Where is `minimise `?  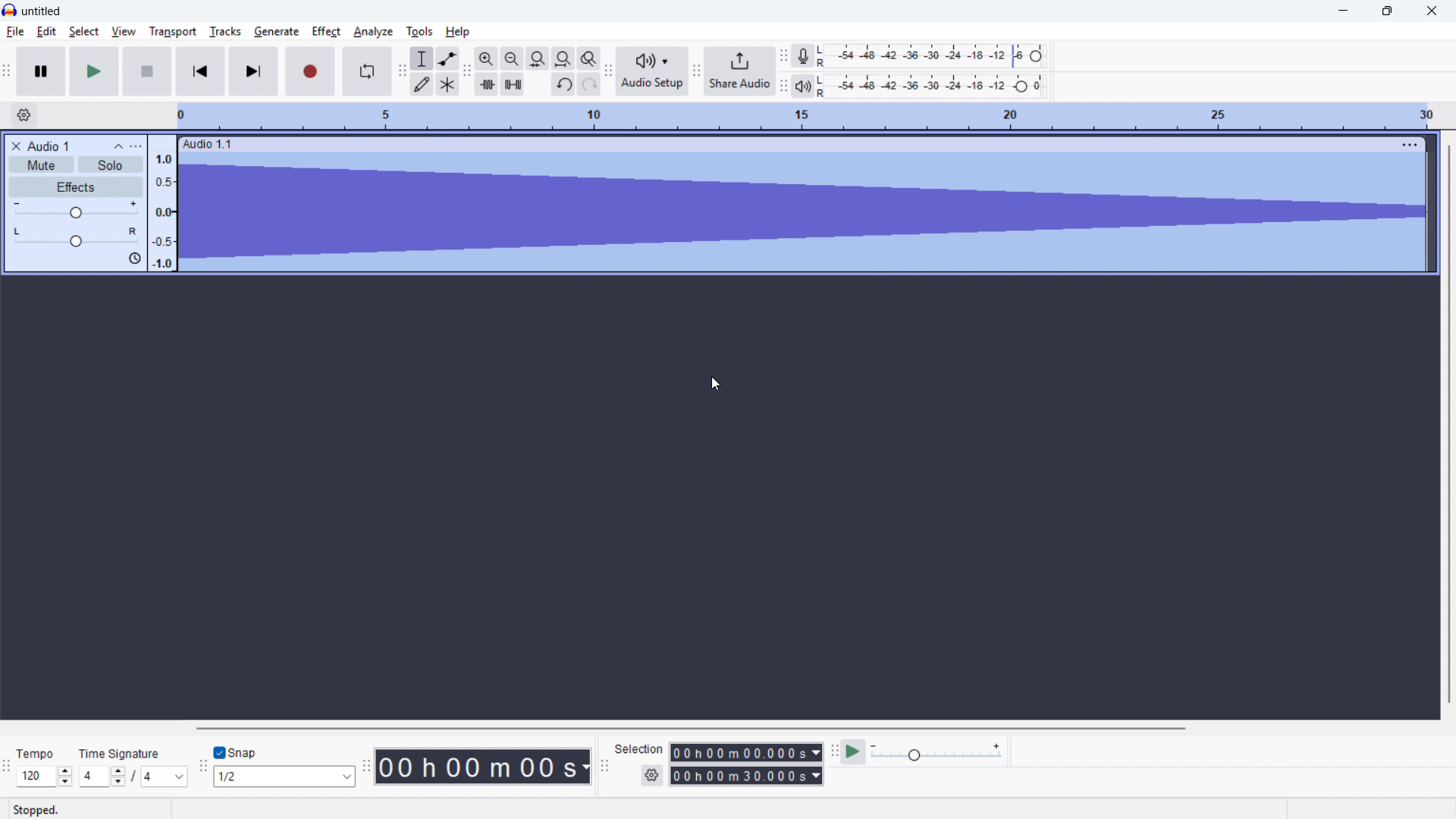
minimise  is located at coordinates (1345, 11).